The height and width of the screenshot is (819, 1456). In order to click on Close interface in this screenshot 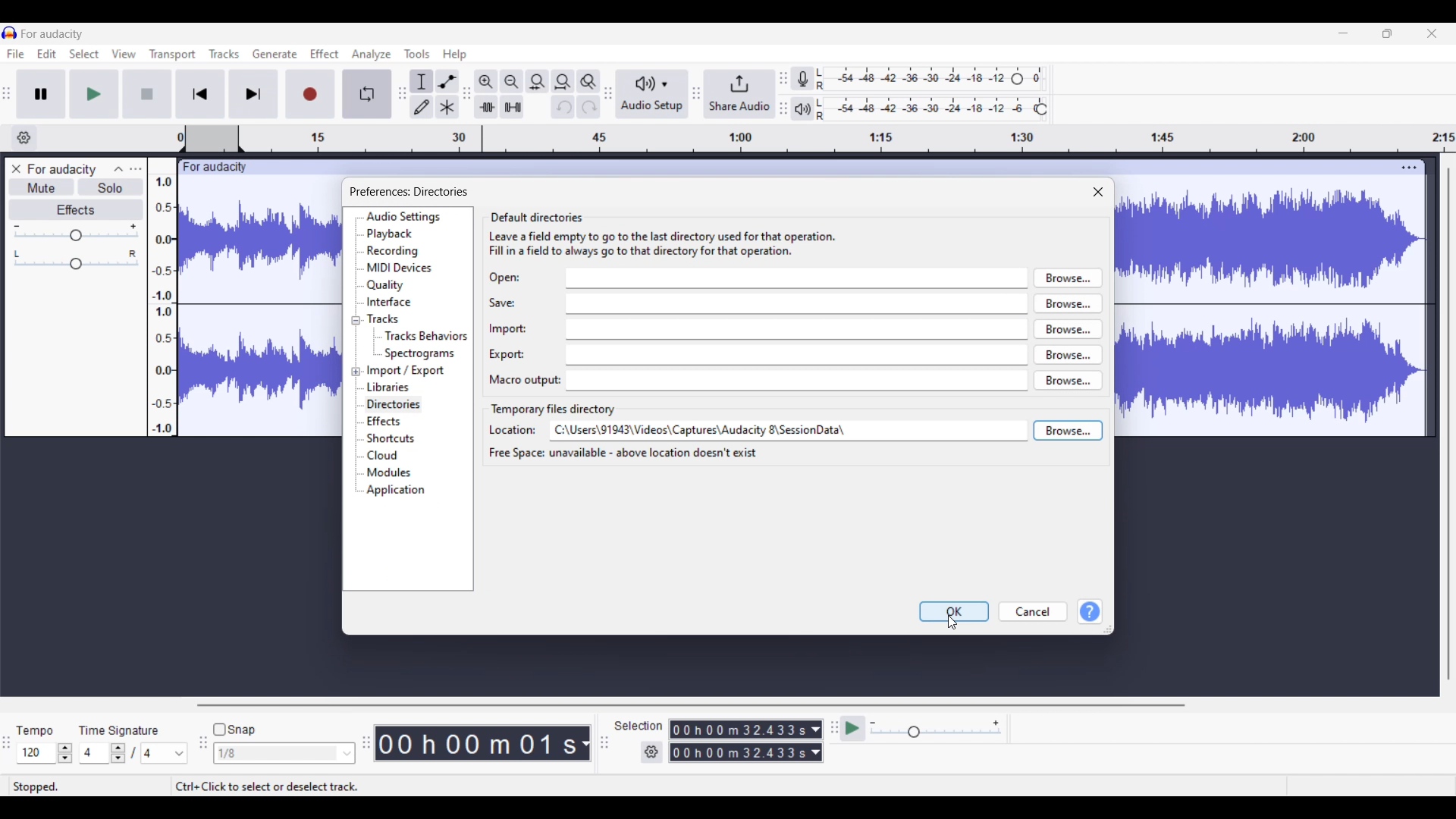, I will do `click(1432, 33)`.